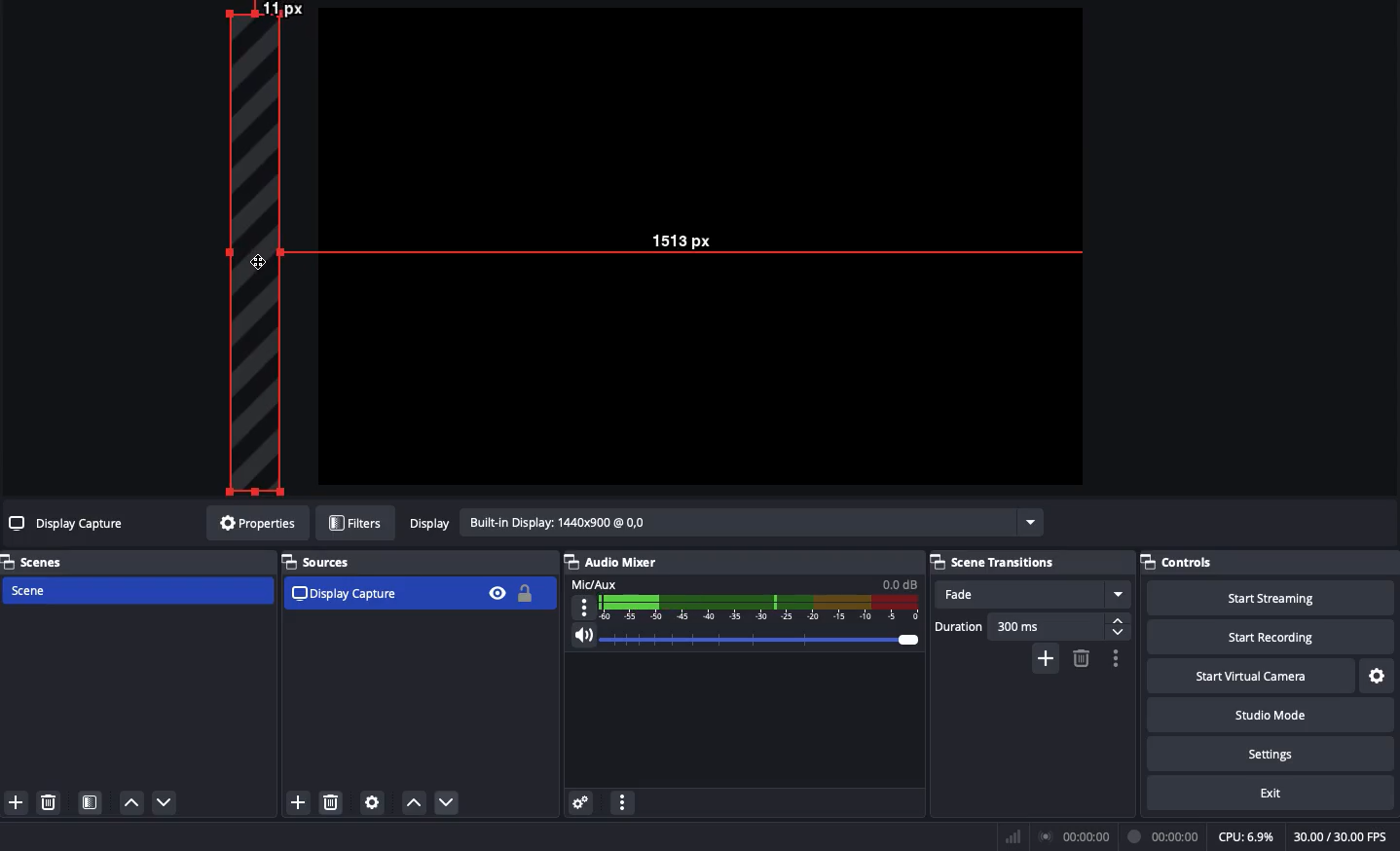 Image resolution: width=1400 pixels, height=851 pixels. Describe the element at coordinates (1078, 837) in the screenshot. I see `Broadcast` at that location.